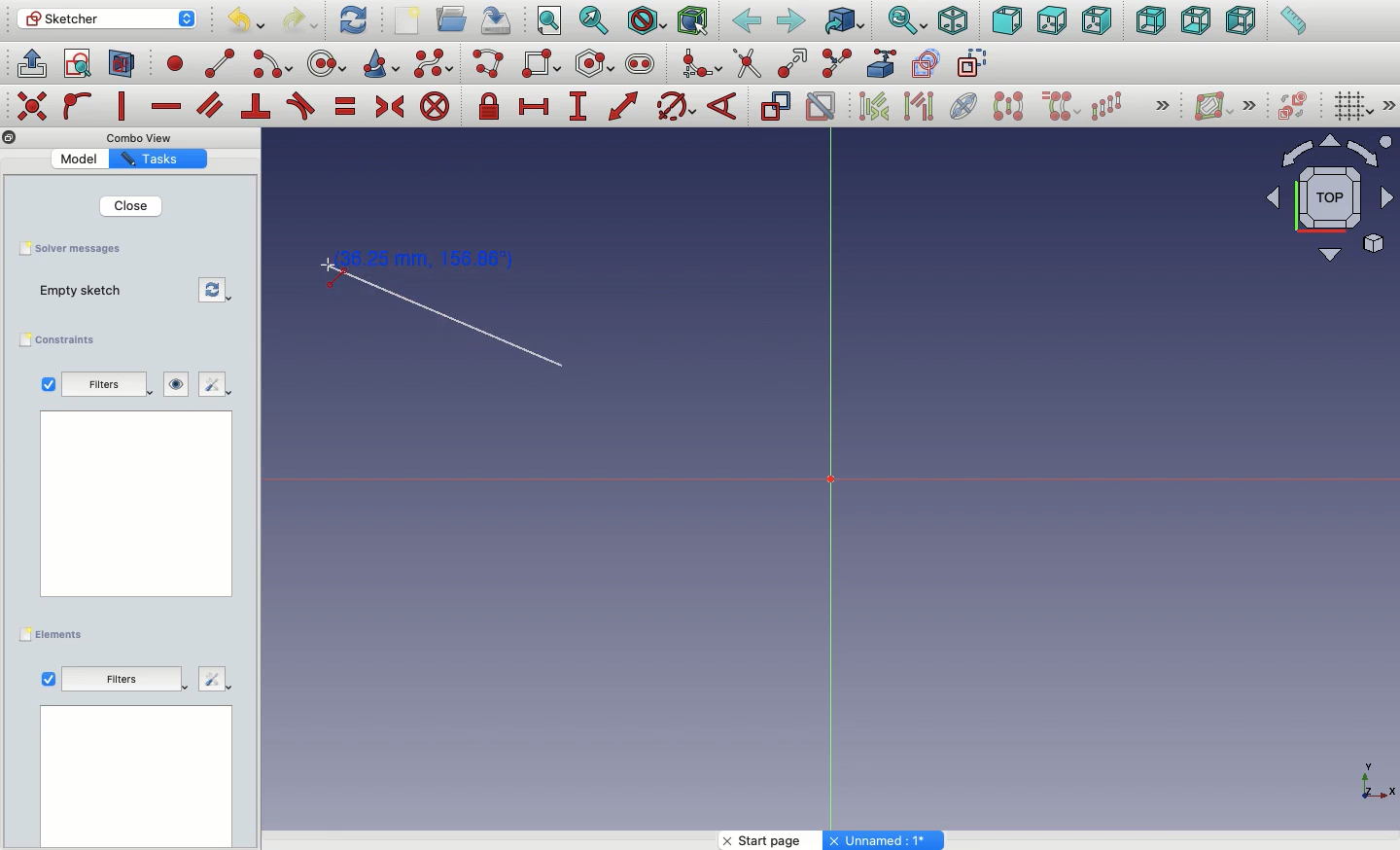  I want to click on , so click(214, 681).